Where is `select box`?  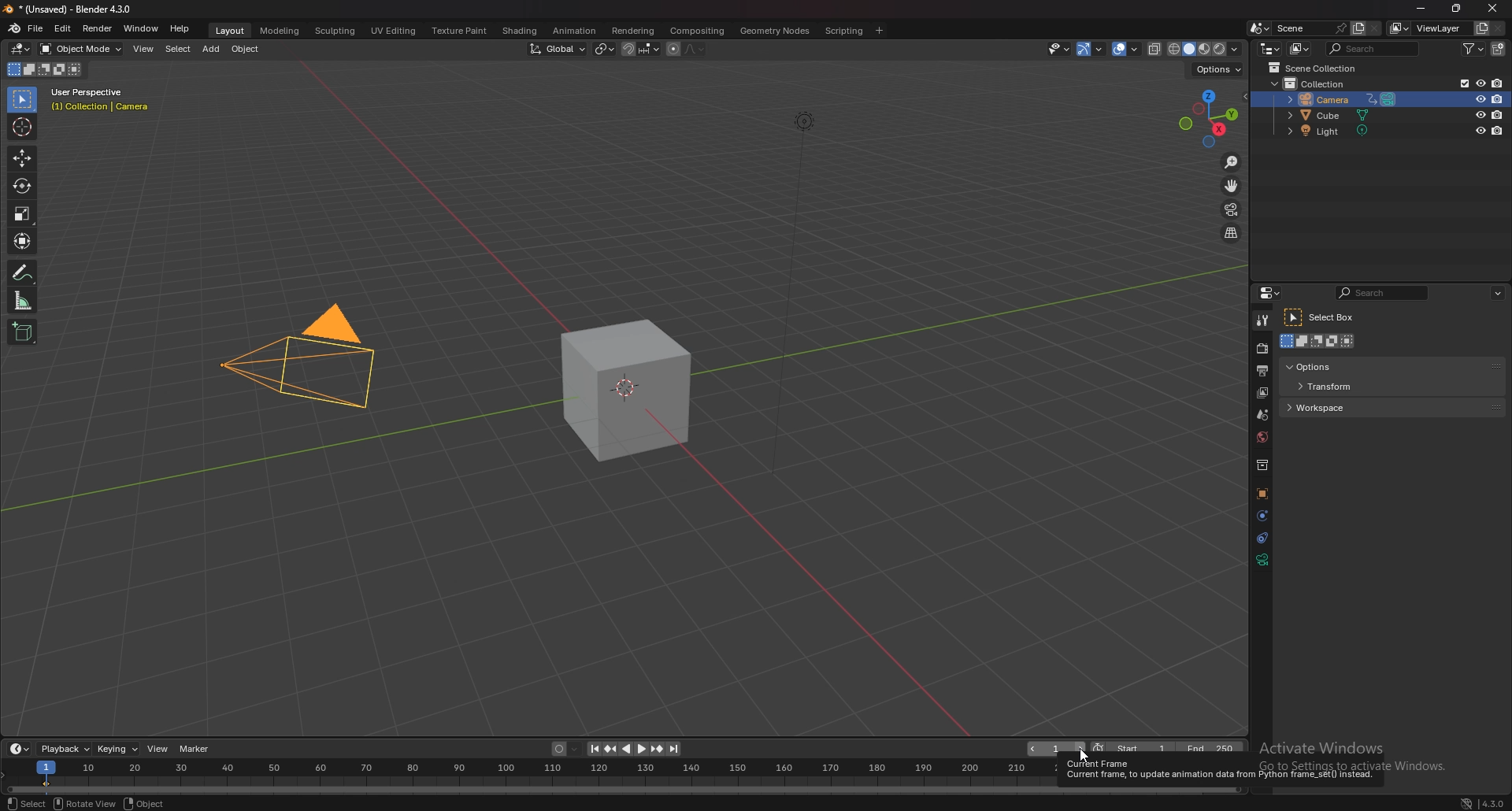 select box is located at coordinates (1322, 317).